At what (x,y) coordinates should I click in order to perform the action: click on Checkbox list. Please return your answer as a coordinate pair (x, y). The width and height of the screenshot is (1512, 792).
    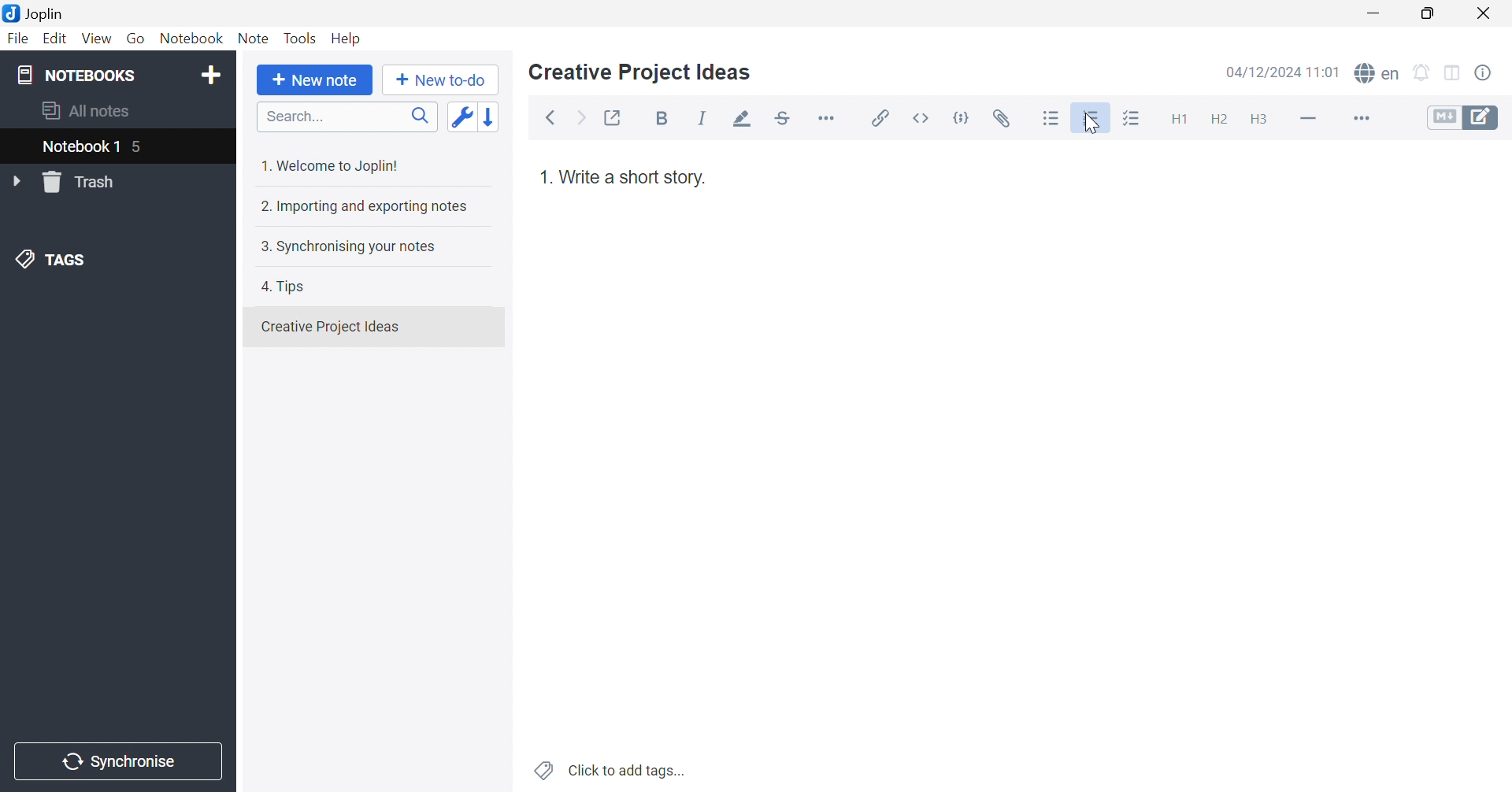
    Looking at the image, I should click on (1130, 122).